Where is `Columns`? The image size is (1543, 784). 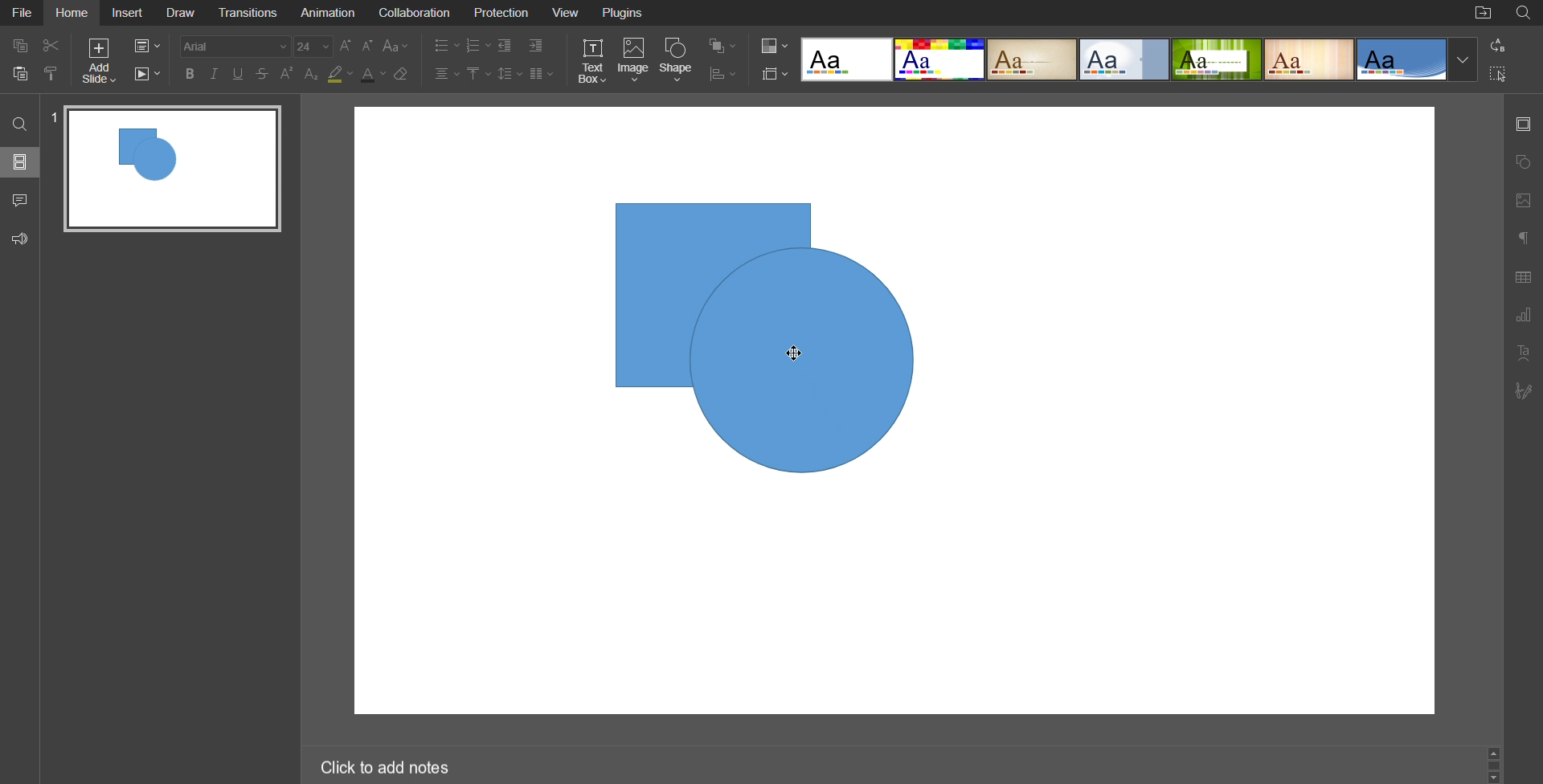
Columns is located at coordinates (539, 72).